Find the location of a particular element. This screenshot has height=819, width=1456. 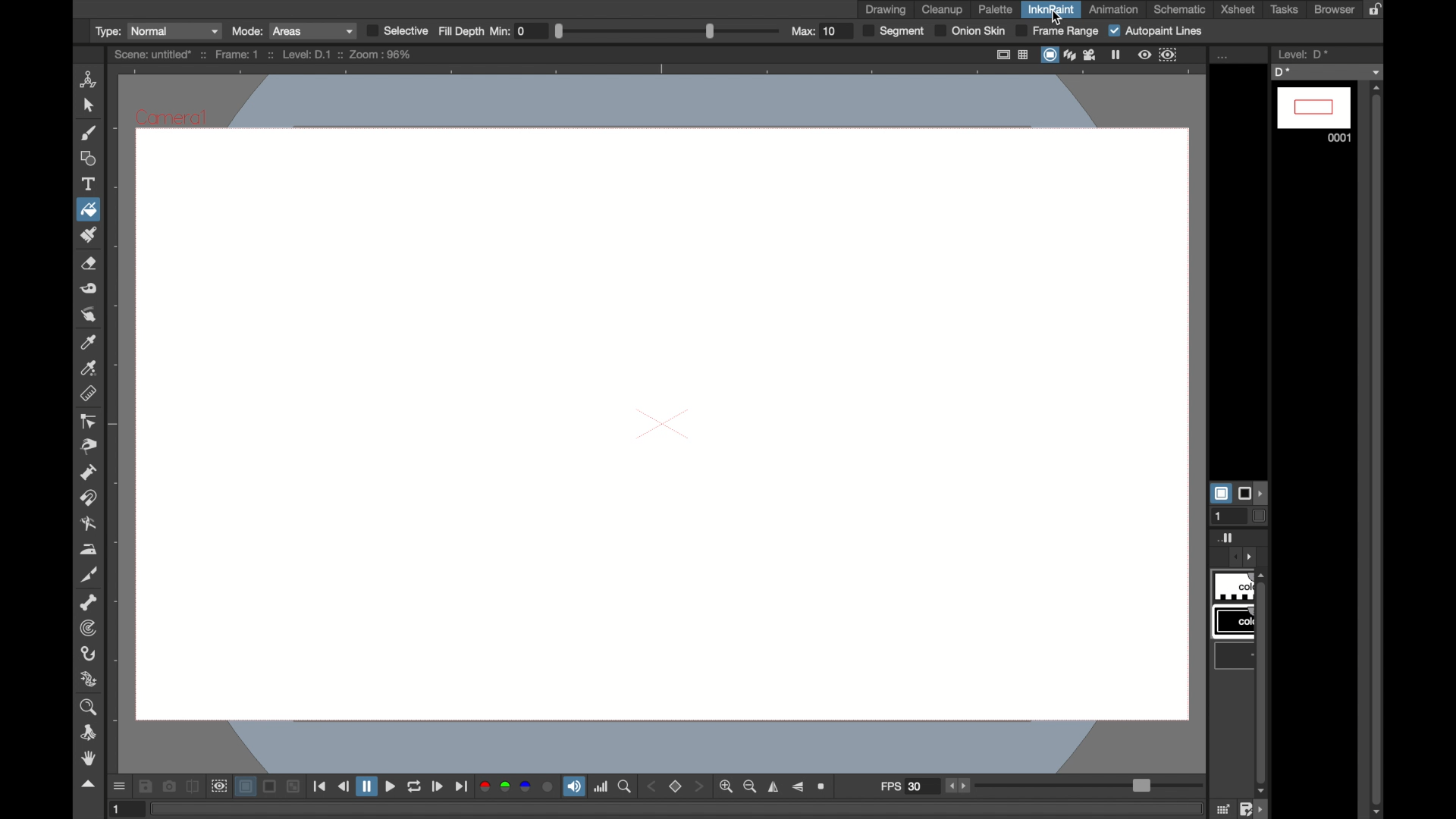

back is located at coordinates (344, 786).